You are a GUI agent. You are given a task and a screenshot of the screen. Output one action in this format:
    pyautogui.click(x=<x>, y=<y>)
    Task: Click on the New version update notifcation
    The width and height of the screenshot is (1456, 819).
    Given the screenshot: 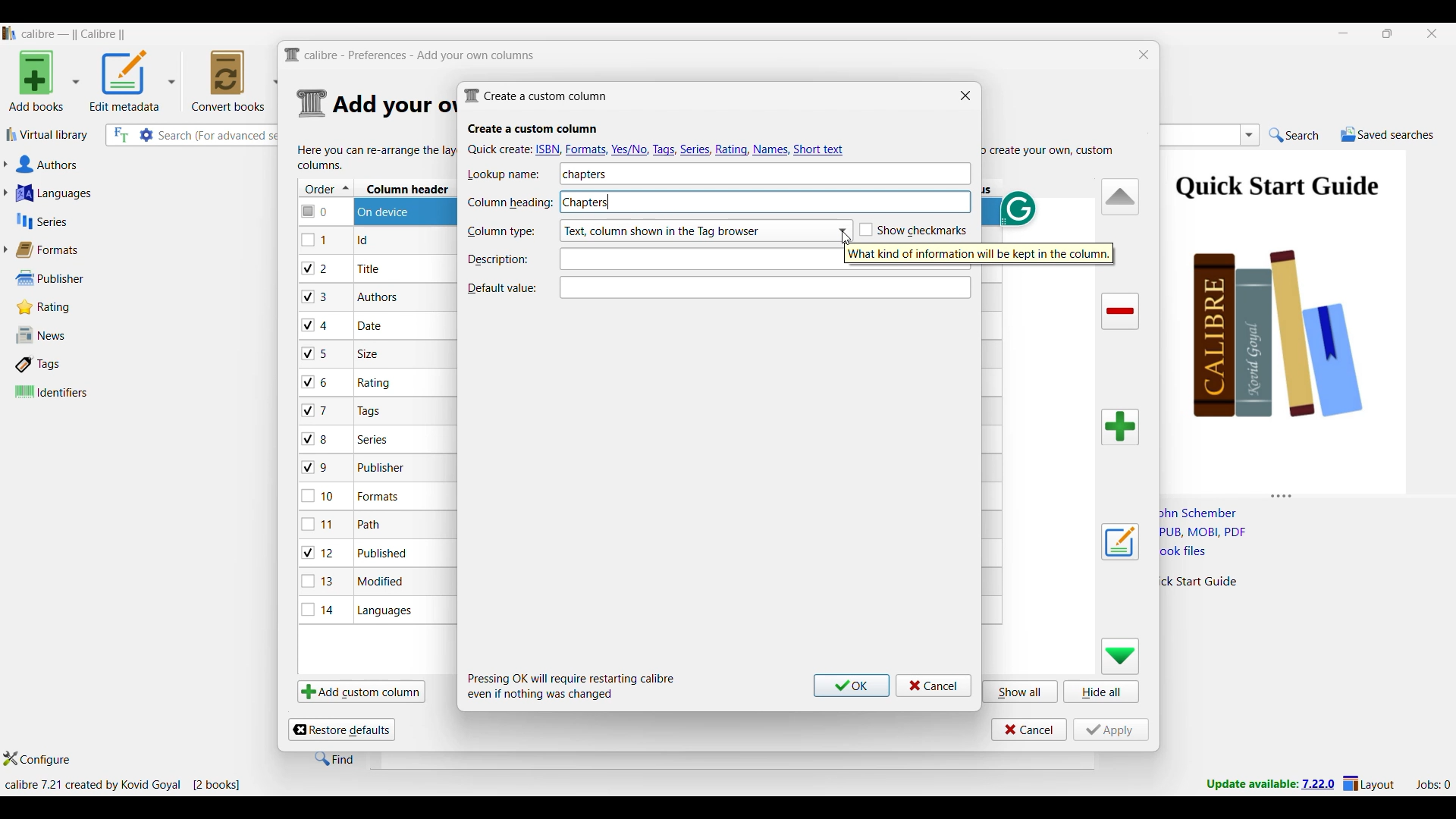 What is the action you would take?
    pyautogui.click(x=1270, y=783)
    